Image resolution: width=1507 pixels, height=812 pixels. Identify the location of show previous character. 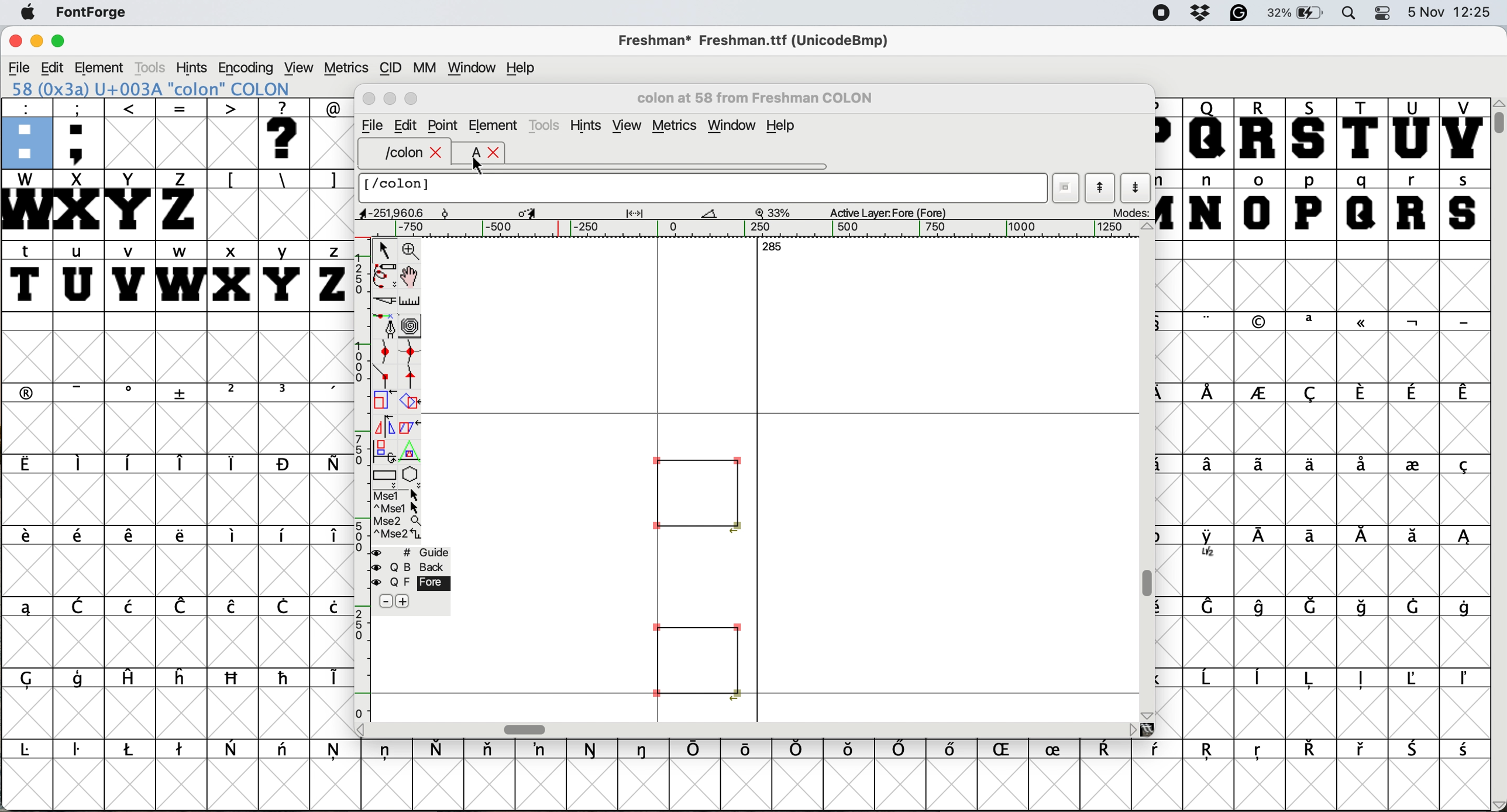
(1097, 184).